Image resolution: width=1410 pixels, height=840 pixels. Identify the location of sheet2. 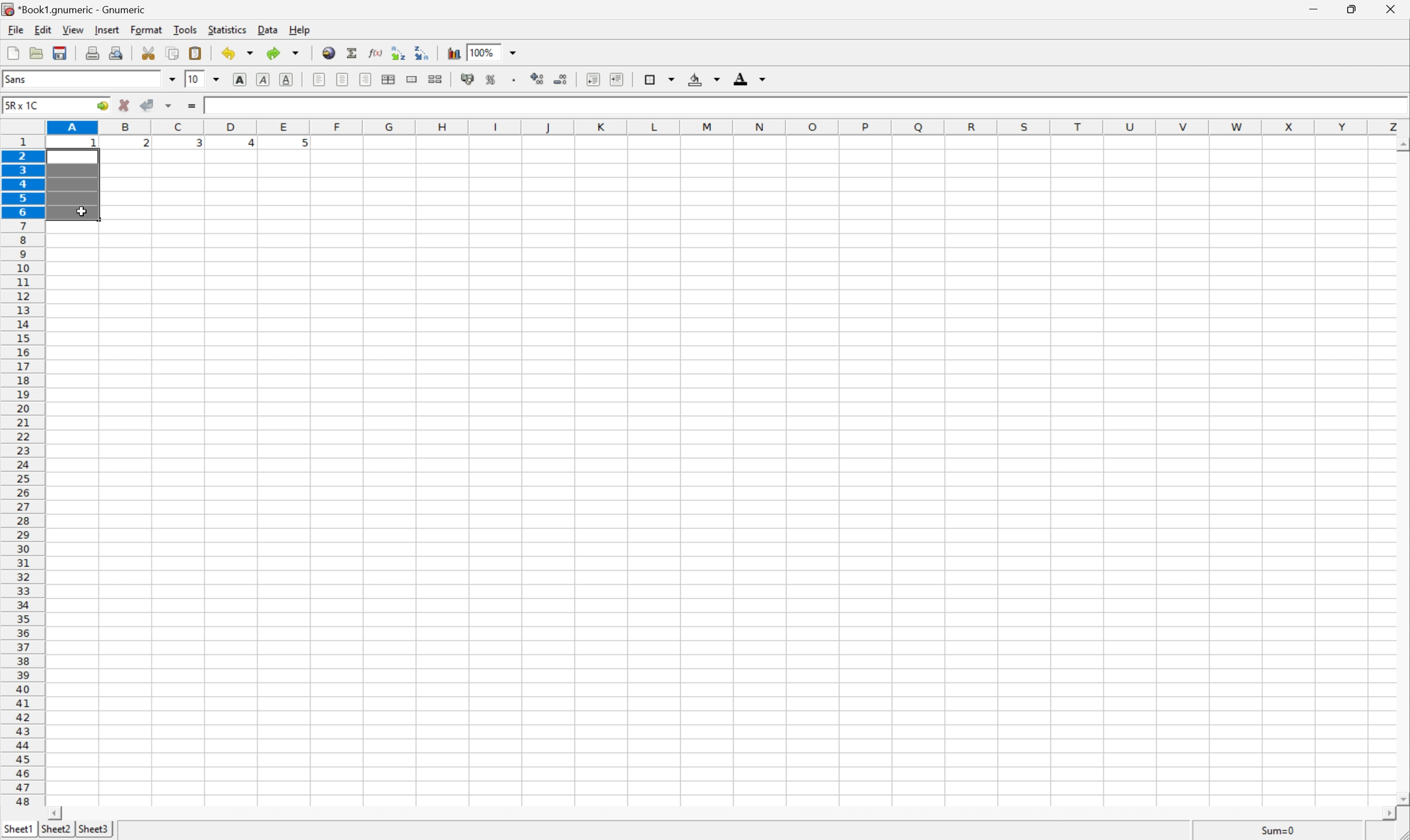
(57, 832).